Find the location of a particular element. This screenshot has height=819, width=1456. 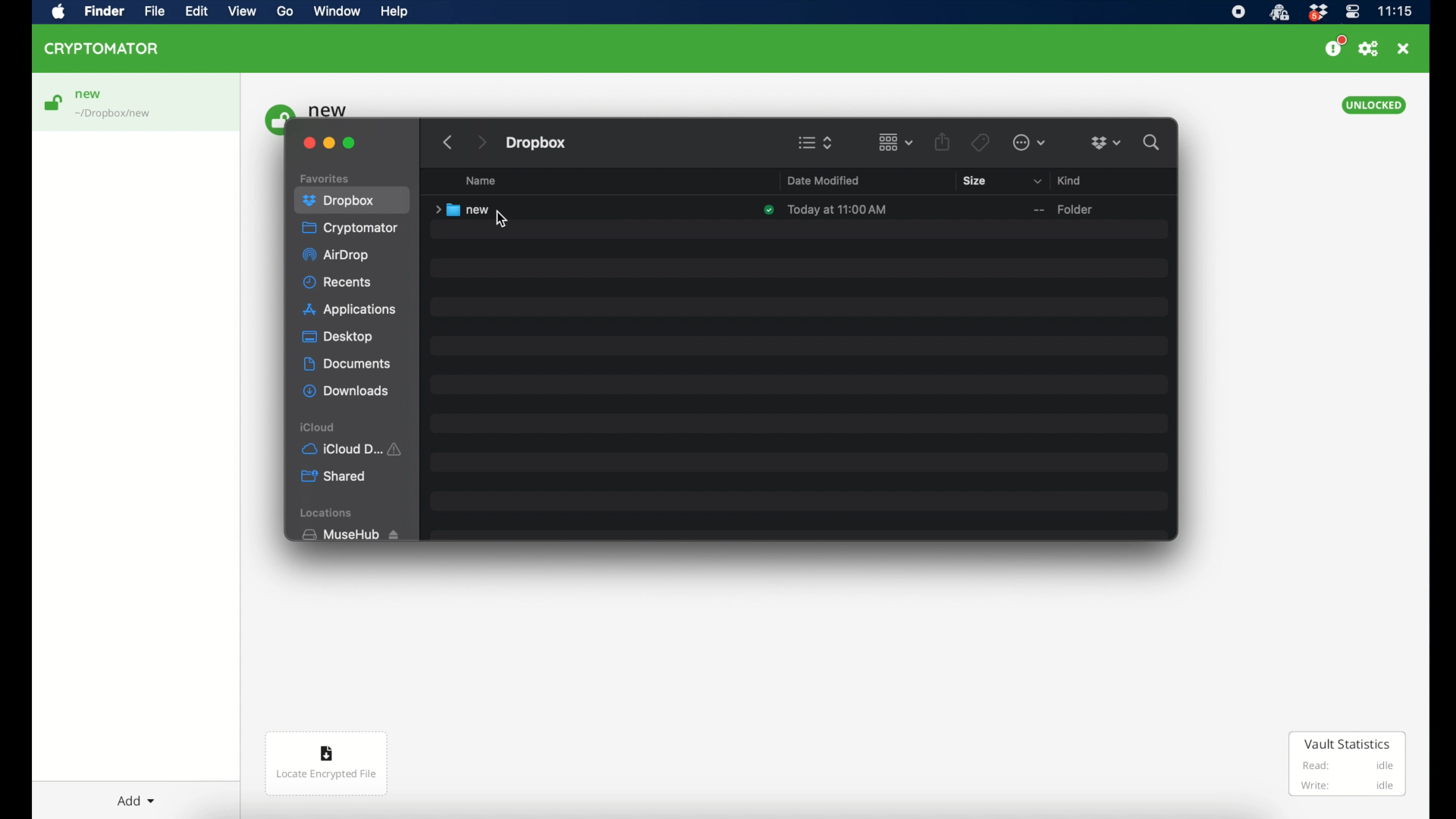

tags is located at coordinates (981, 143).